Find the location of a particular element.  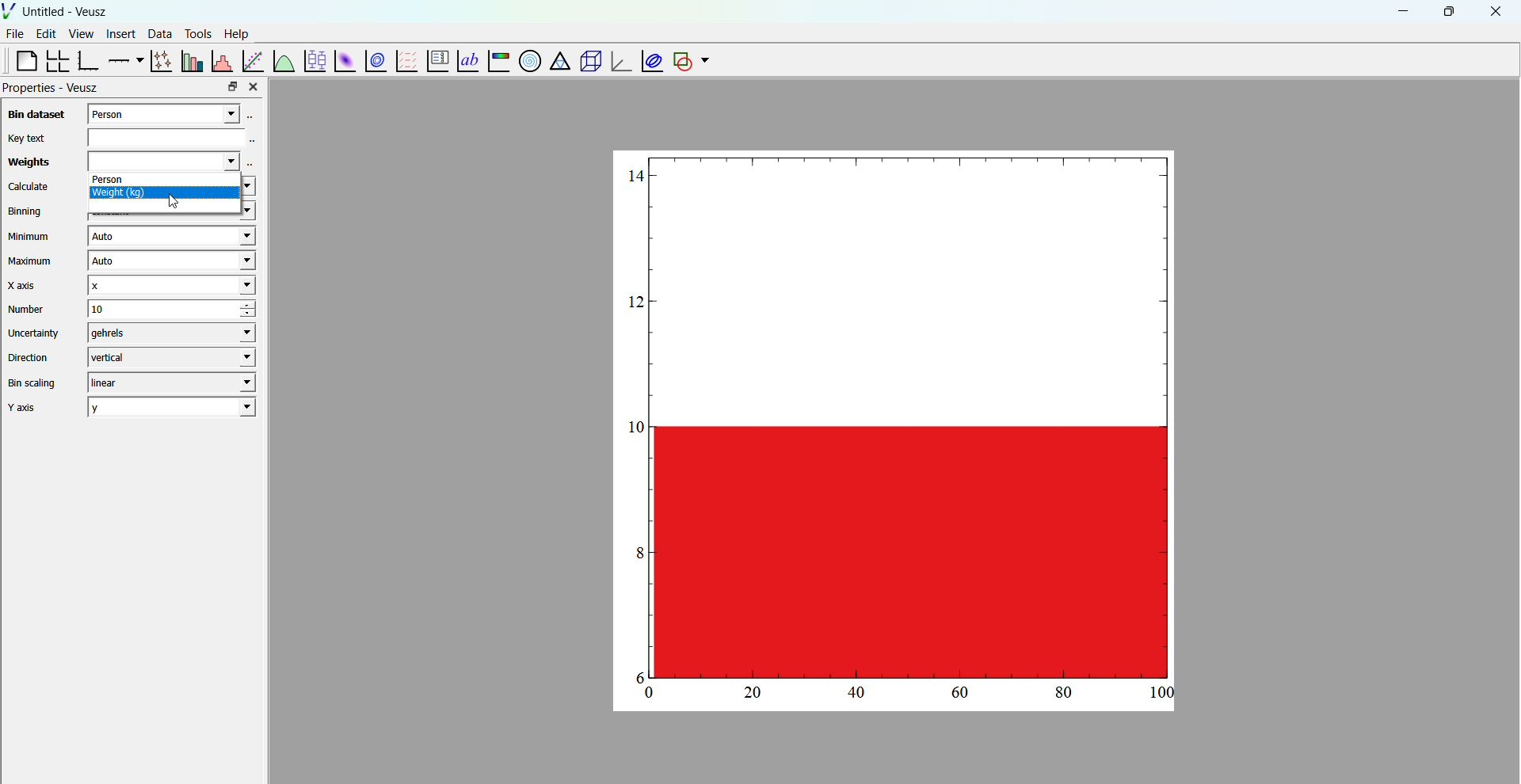

minimize is located at coordinates (1401, 10).